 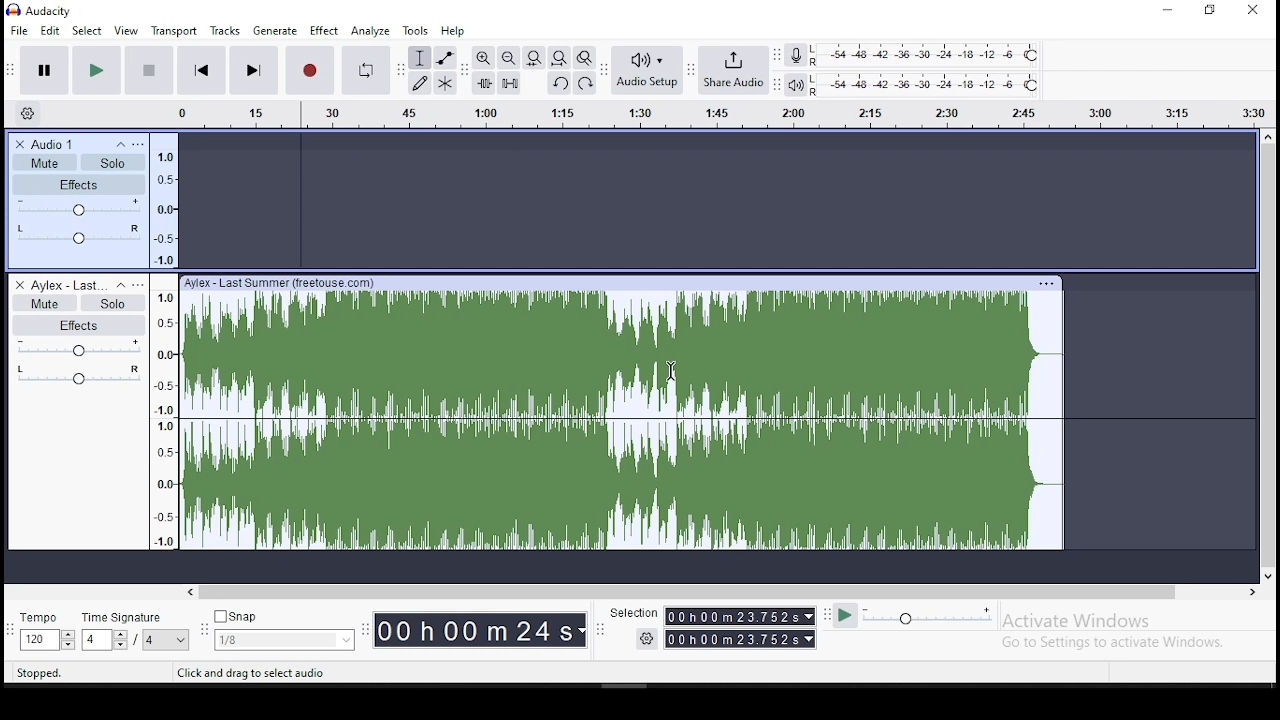 What do you see at coordinates (83, 350) in the screenshot?
I see `volume` at bounding box center [83, 350].